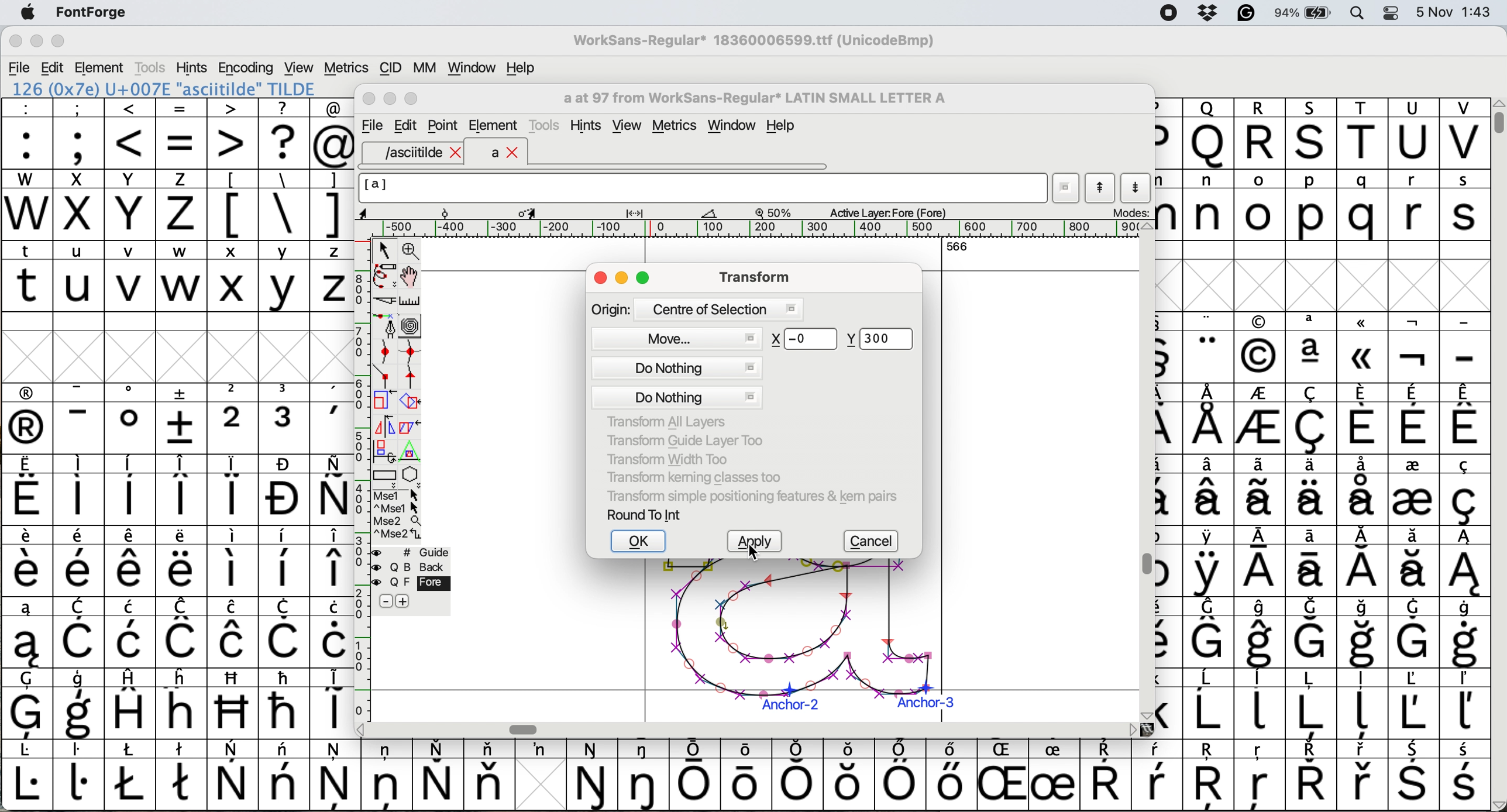  Describe the element at coordinates (1167, 14) in the screenshot. I see `screen recorder` at that location.